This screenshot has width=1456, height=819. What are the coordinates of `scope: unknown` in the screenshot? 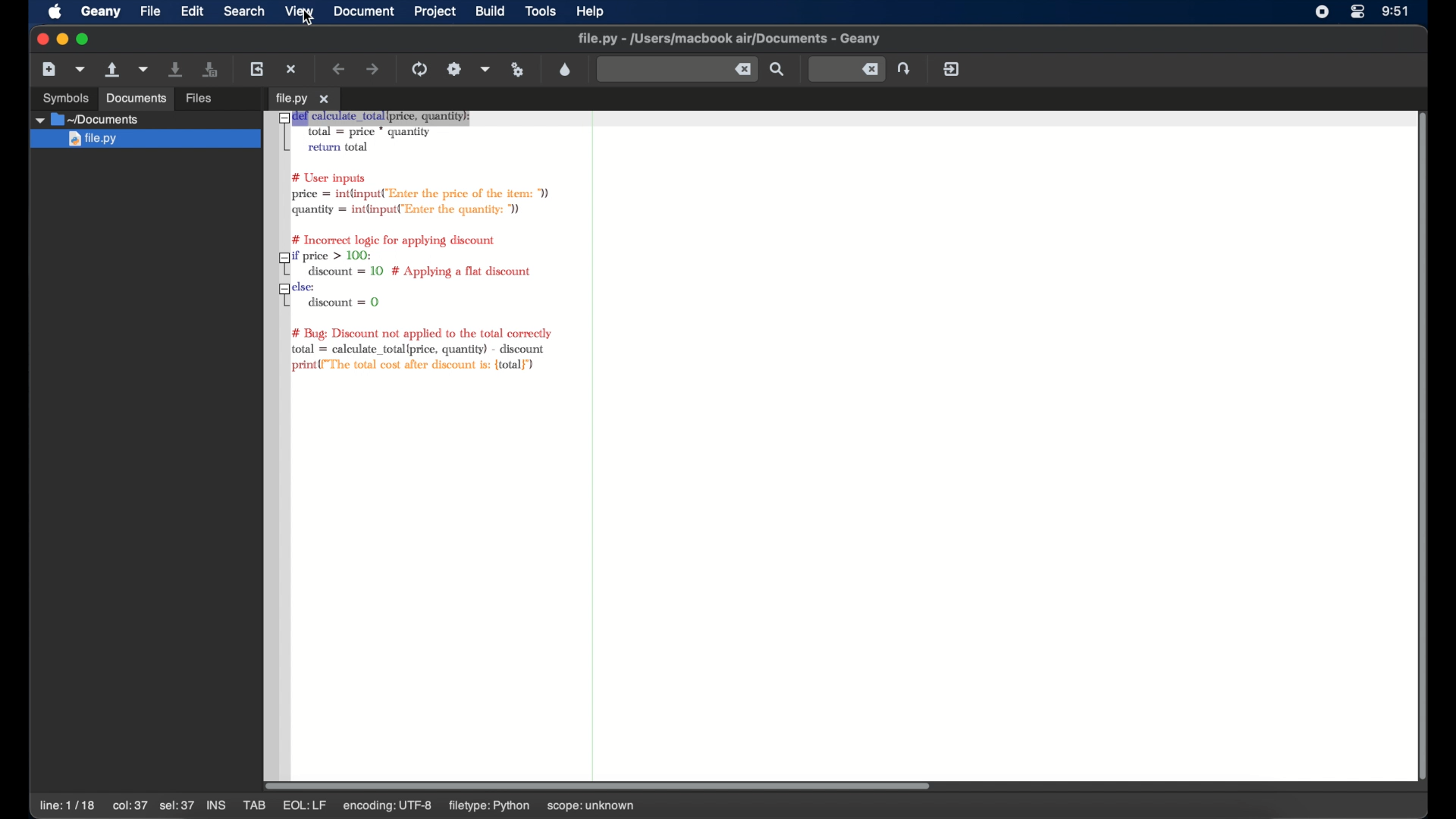 It's located at (591, 807).